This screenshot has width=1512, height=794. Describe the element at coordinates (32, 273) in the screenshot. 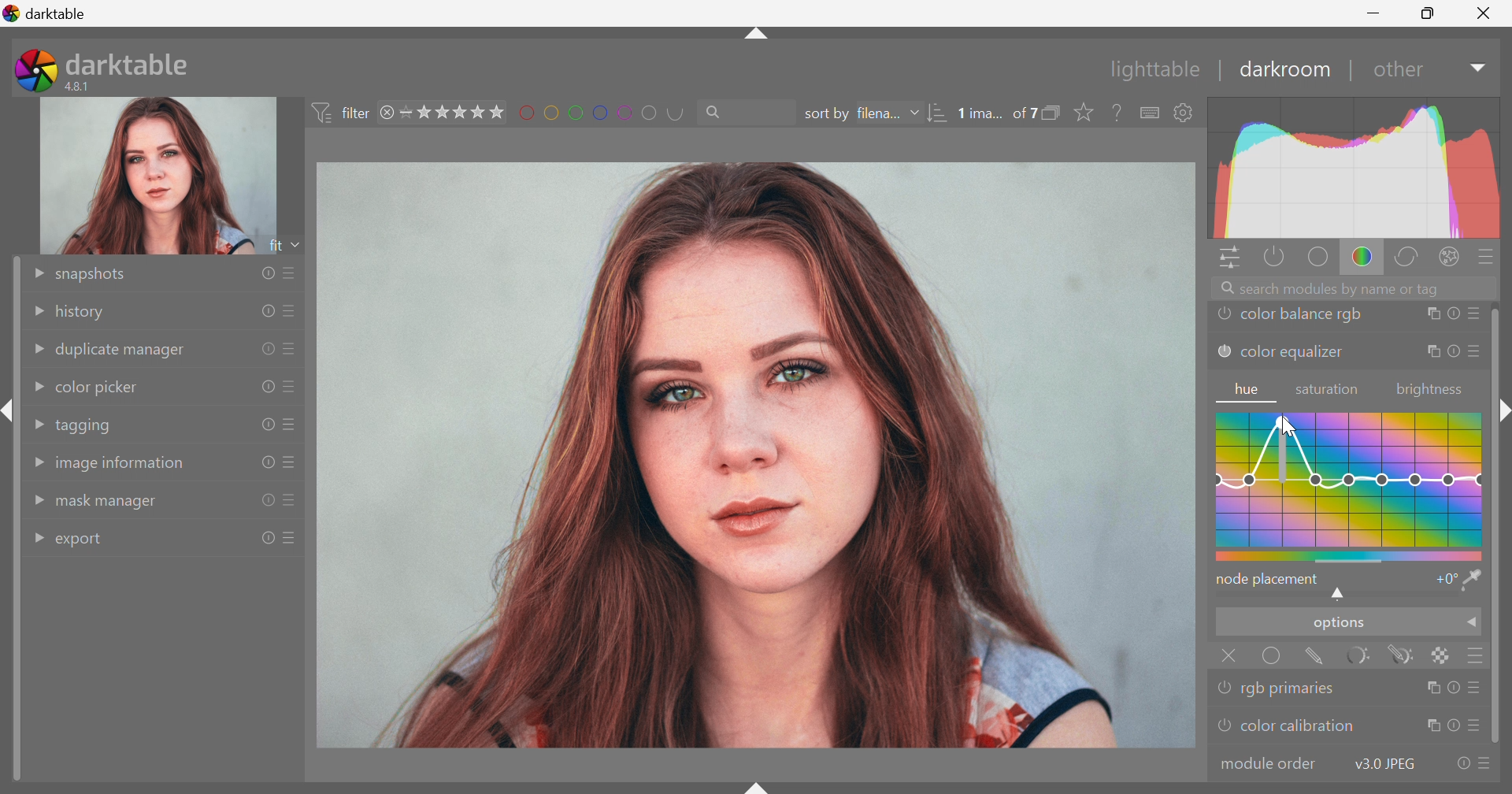

I see `Drop Down` at that location.